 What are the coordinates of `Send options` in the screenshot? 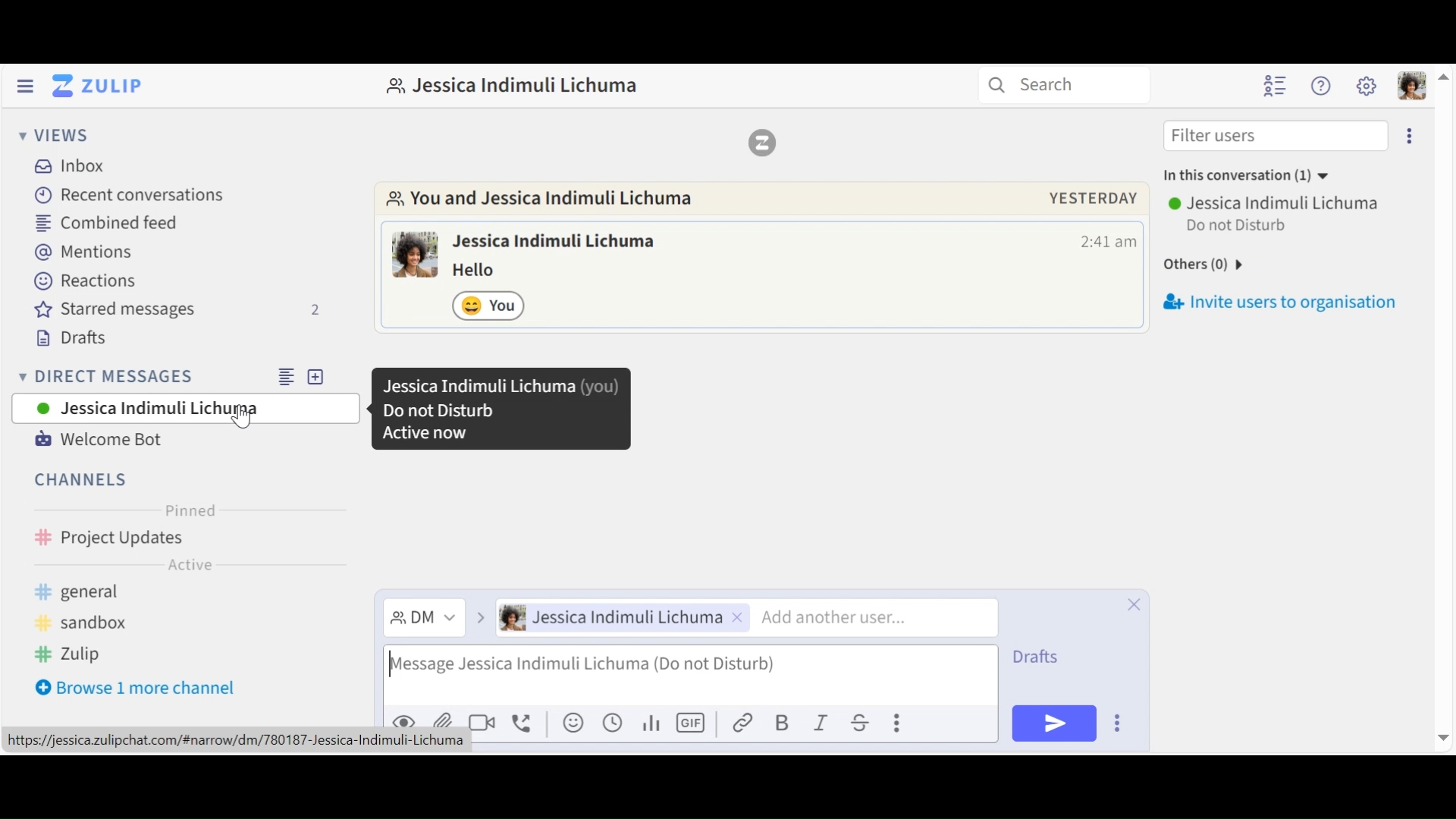 It's located at (1117, 723).